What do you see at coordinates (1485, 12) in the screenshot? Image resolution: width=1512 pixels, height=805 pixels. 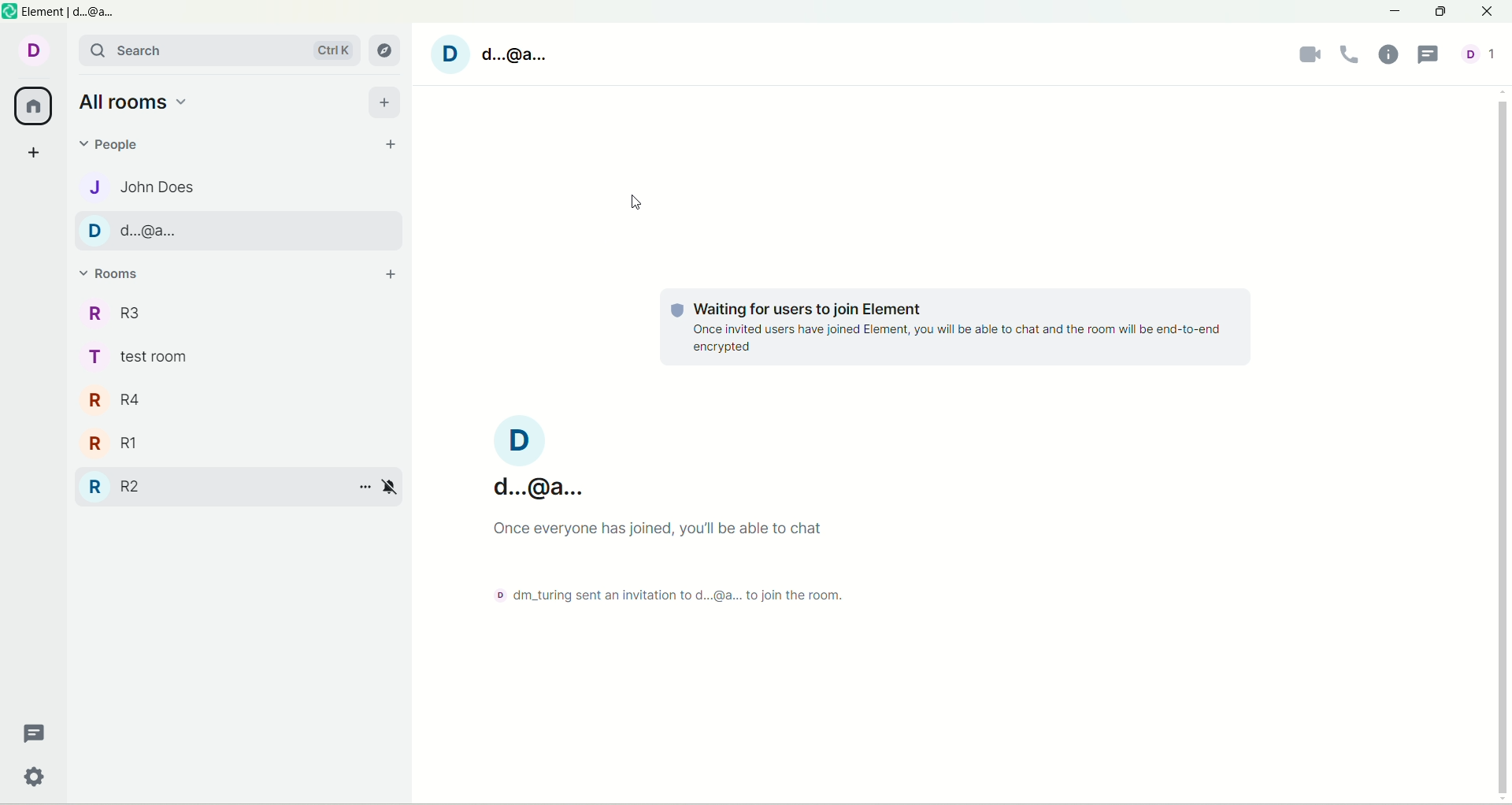 I see `close` at bounding box center [1485, 12].